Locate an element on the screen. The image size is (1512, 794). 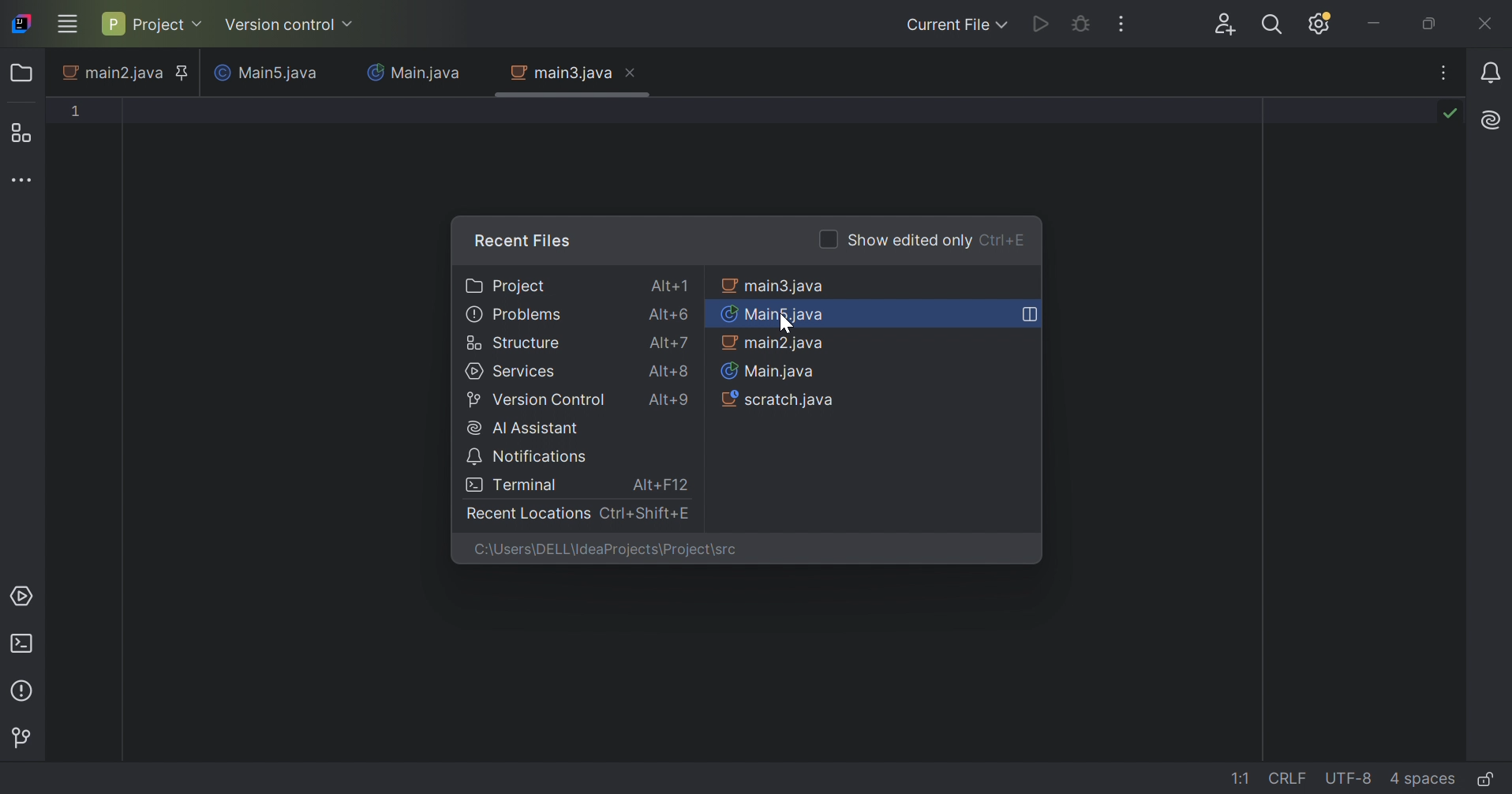
AI Assistant is located at coordinates (1491, 122).